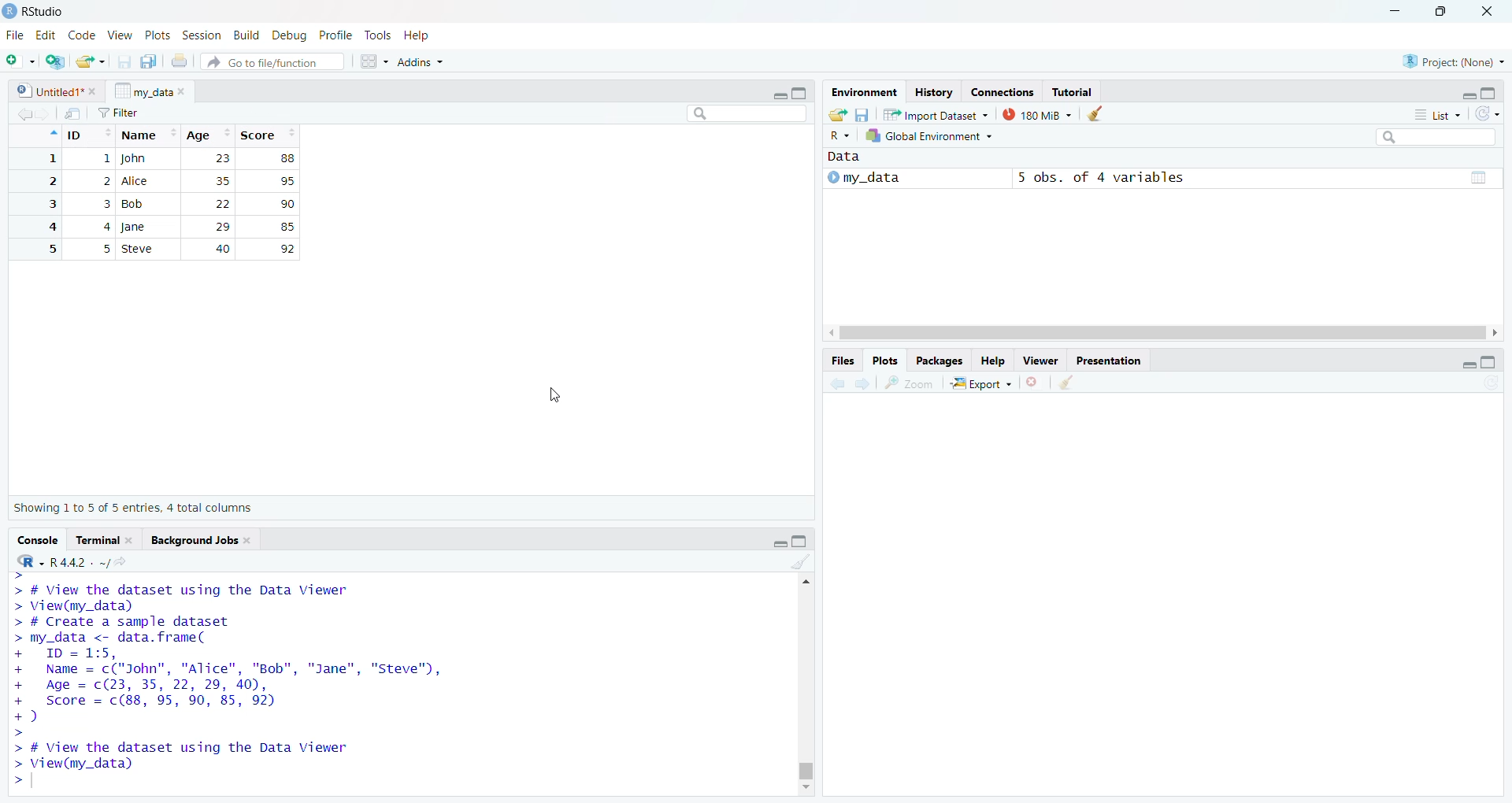 The image size is (1512, 803). I want to click on 5 obs, of 4 variables, so click(1102, 176).